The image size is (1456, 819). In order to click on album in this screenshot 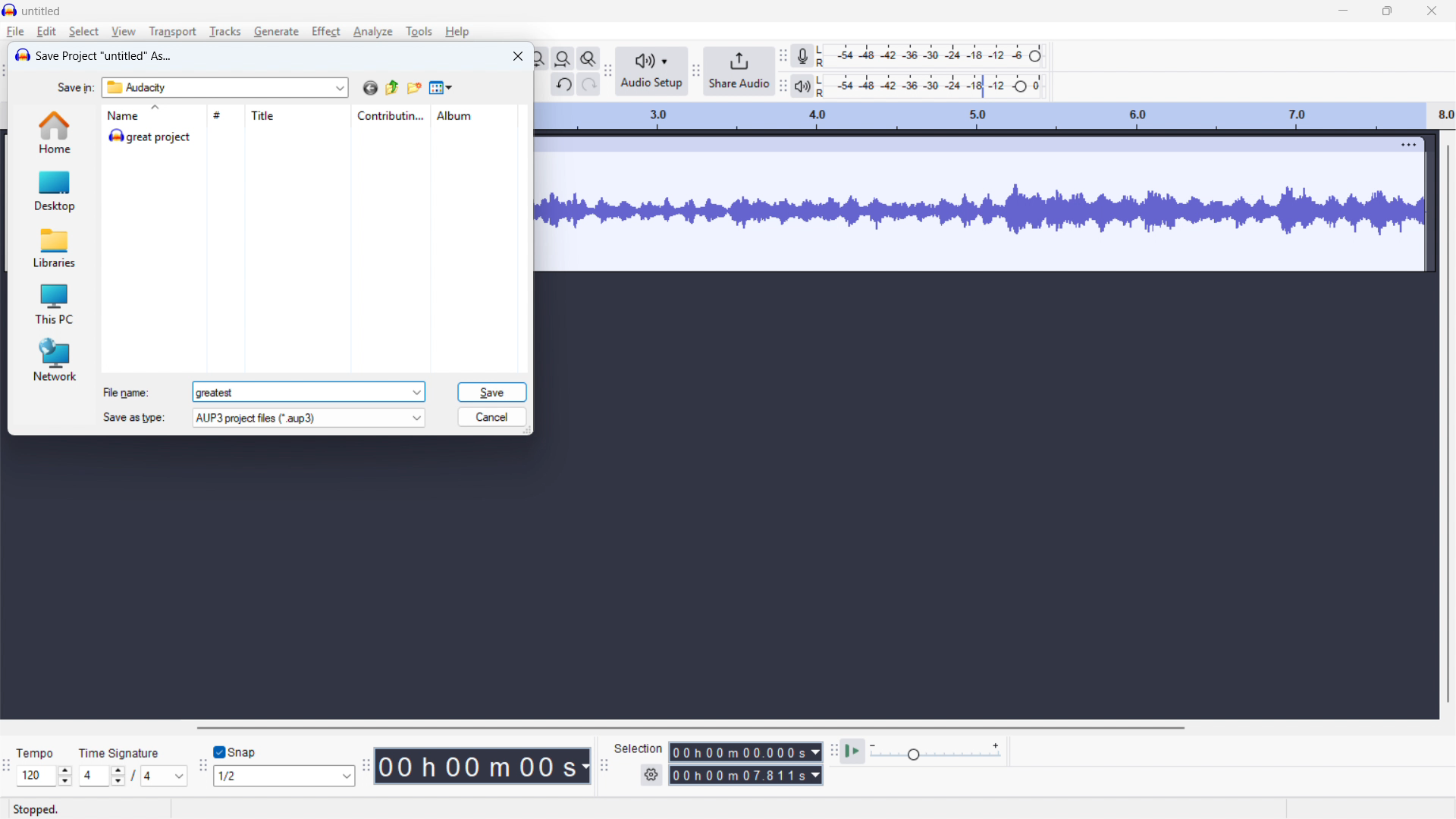, I will do `click(474, 115)`.